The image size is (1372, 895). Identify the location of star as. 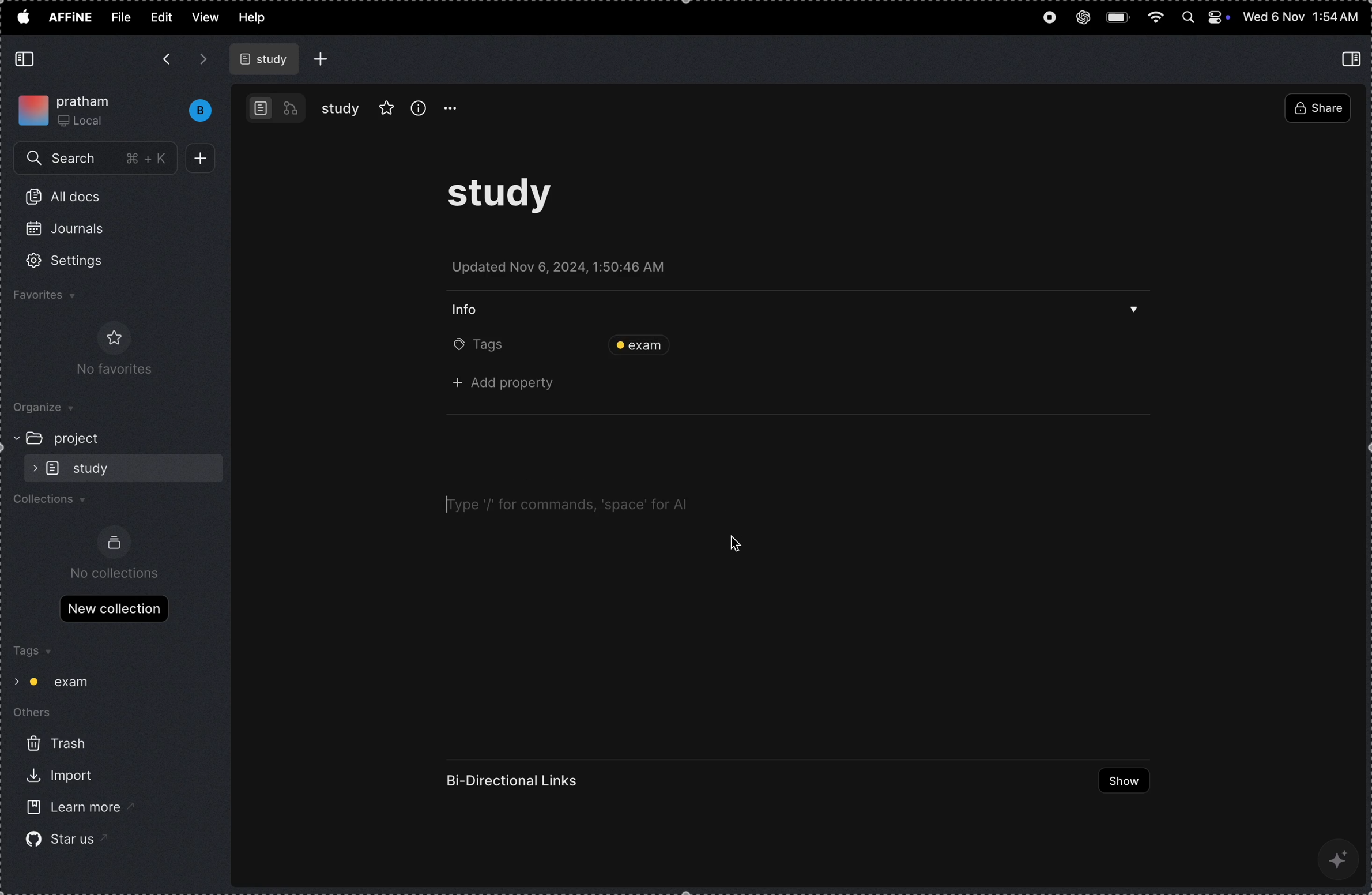
(60, 838).